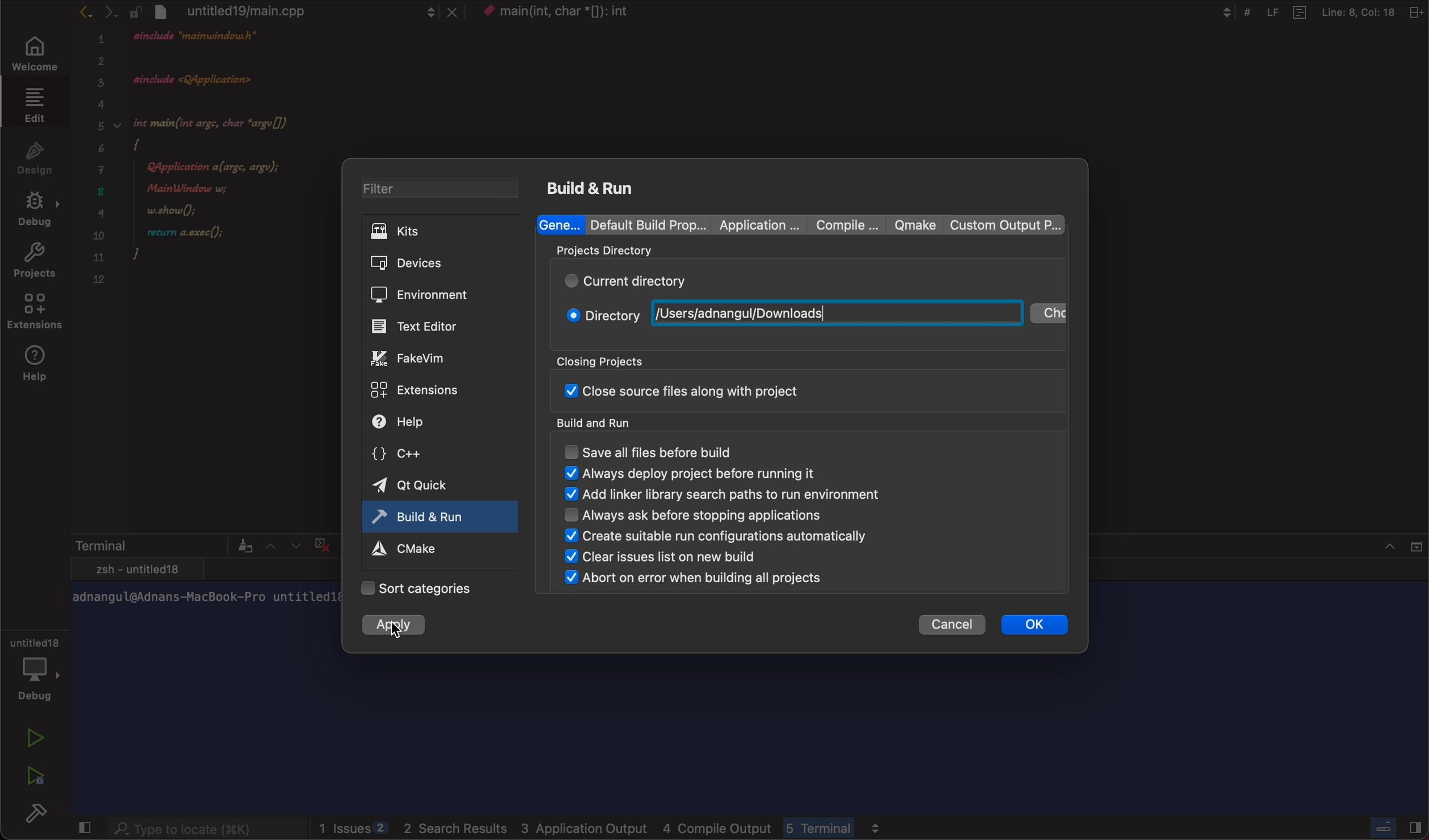 The height and width of the screenshot is (840, 1429). I want to click on add linker binary, so click(717, 496).